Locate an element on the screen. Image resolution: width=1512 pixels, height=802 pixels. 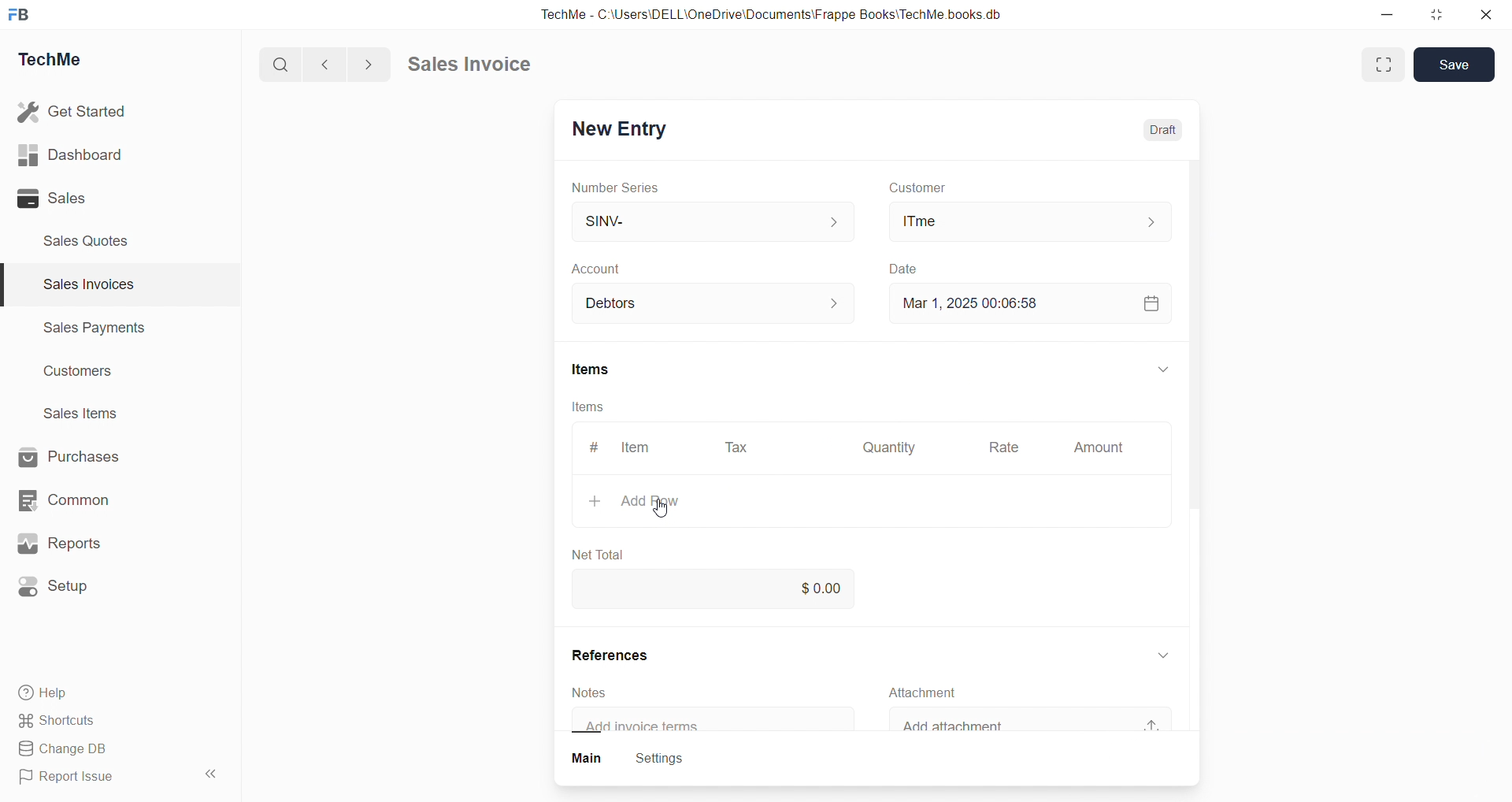
& Get Started is located at coordinates (74, 110).